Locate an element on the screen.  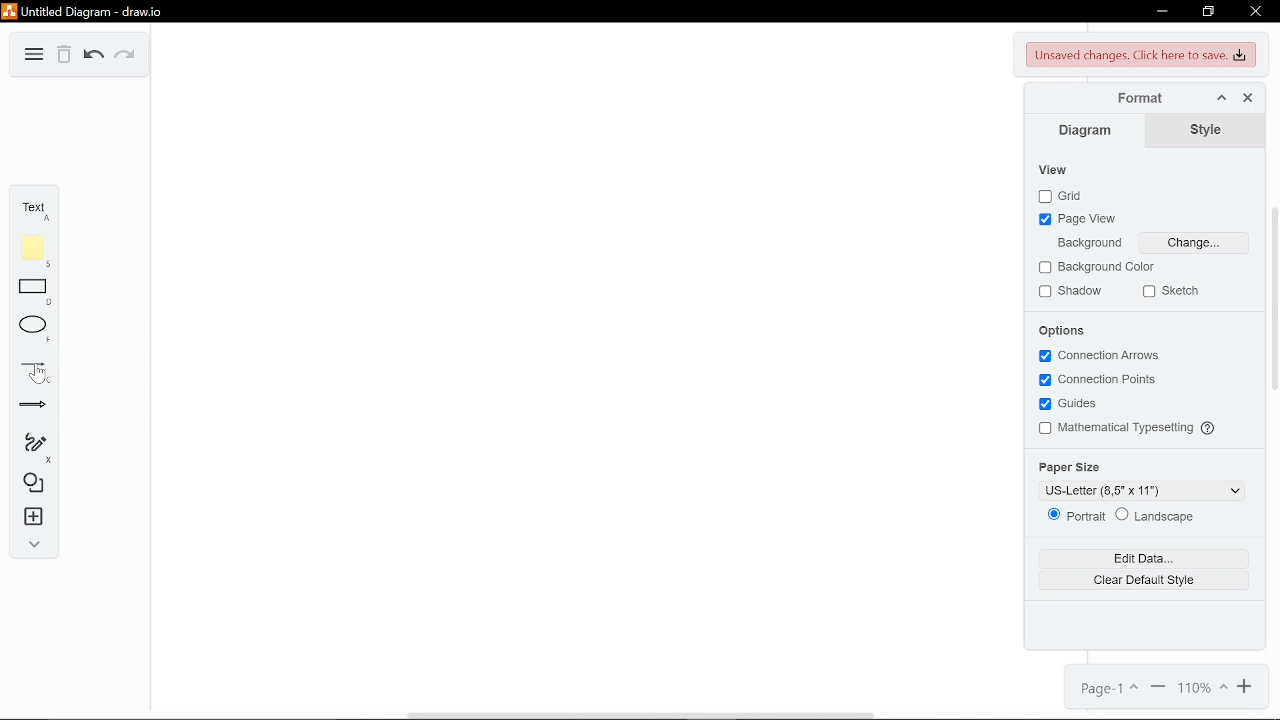
Close format is located at coordinates (1248, 98).